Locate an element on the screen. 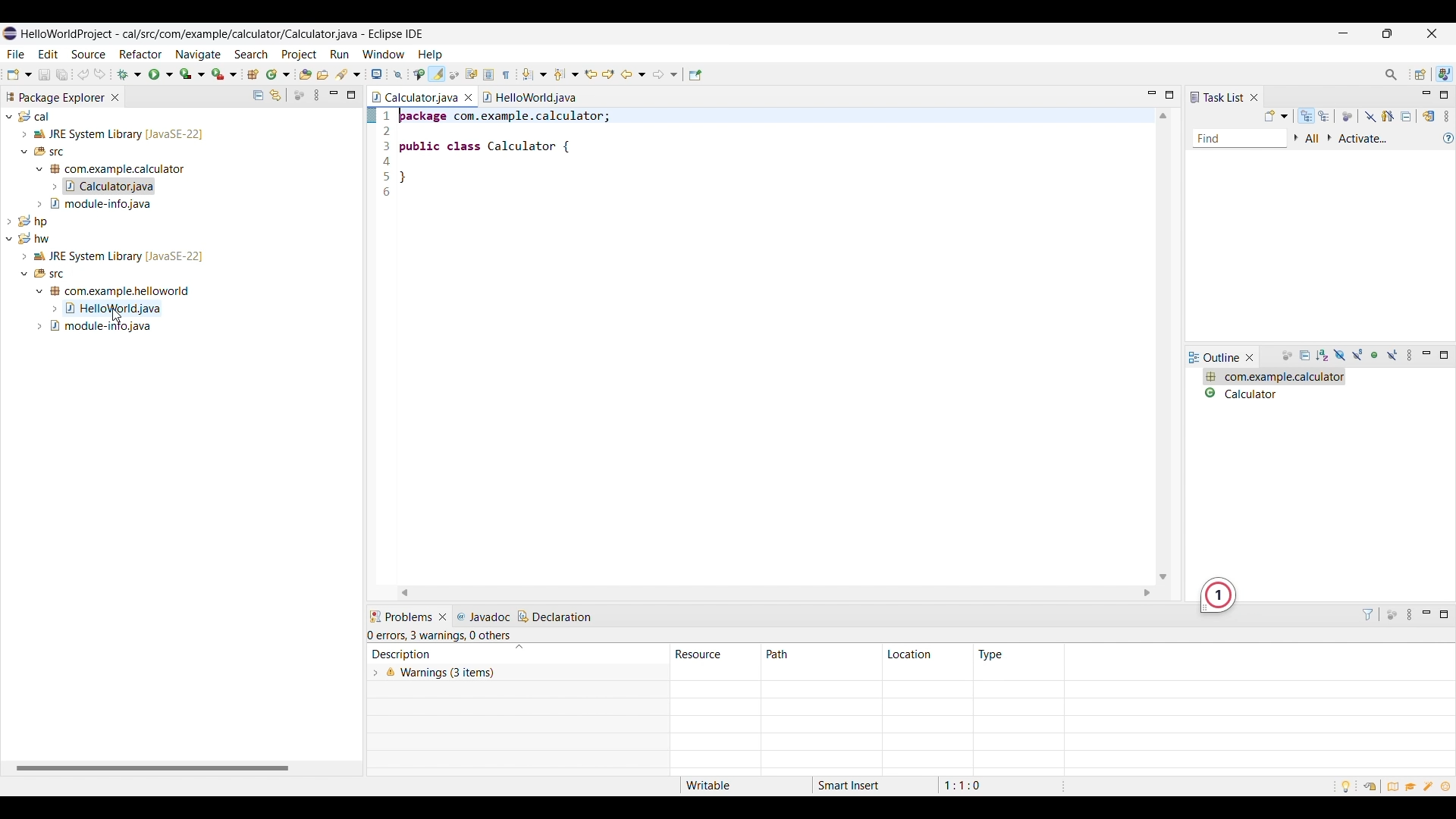  Restore welcome is located at coordinates (1368, 785).